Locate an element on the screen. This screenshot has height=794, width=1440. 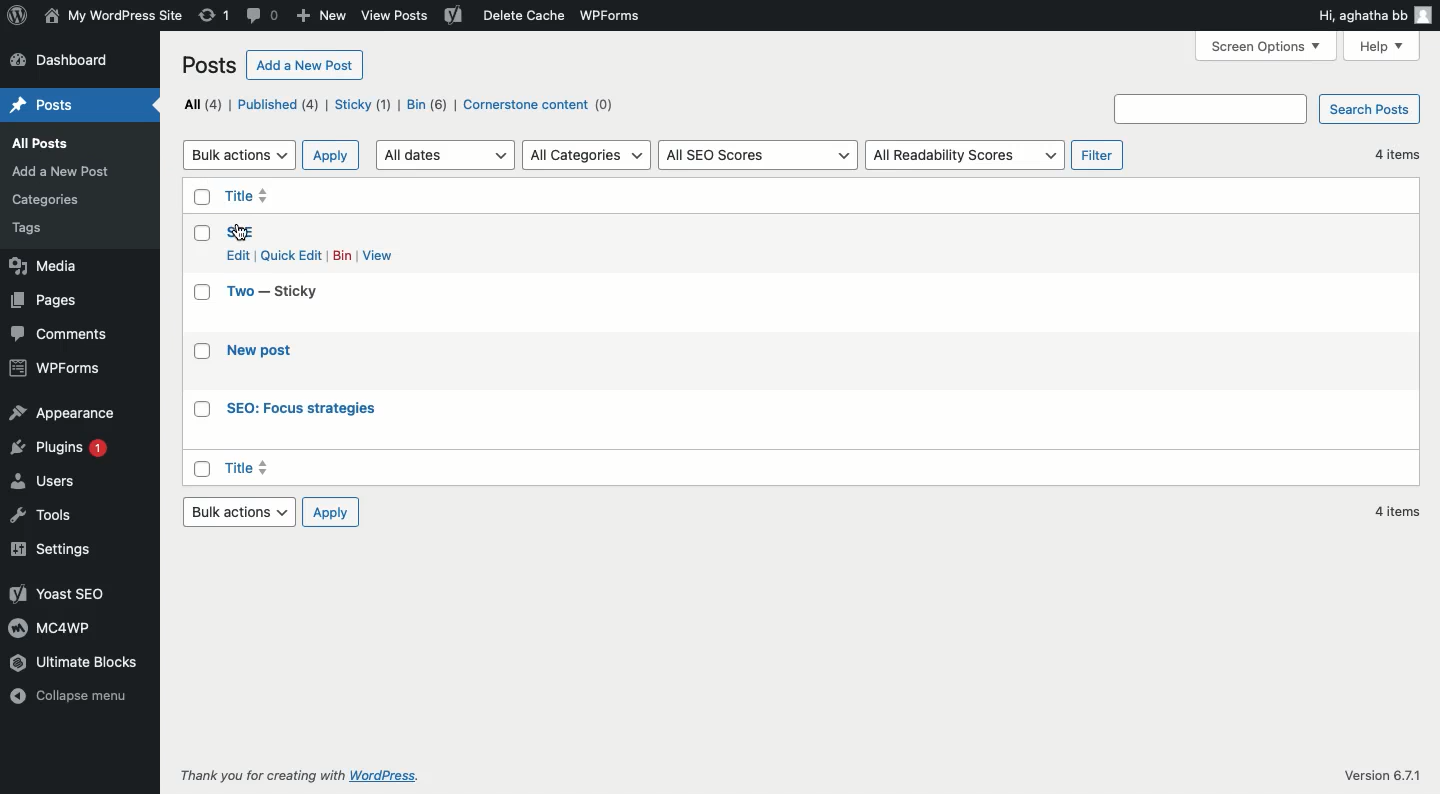
SEO is located at coordinates (249, 233).